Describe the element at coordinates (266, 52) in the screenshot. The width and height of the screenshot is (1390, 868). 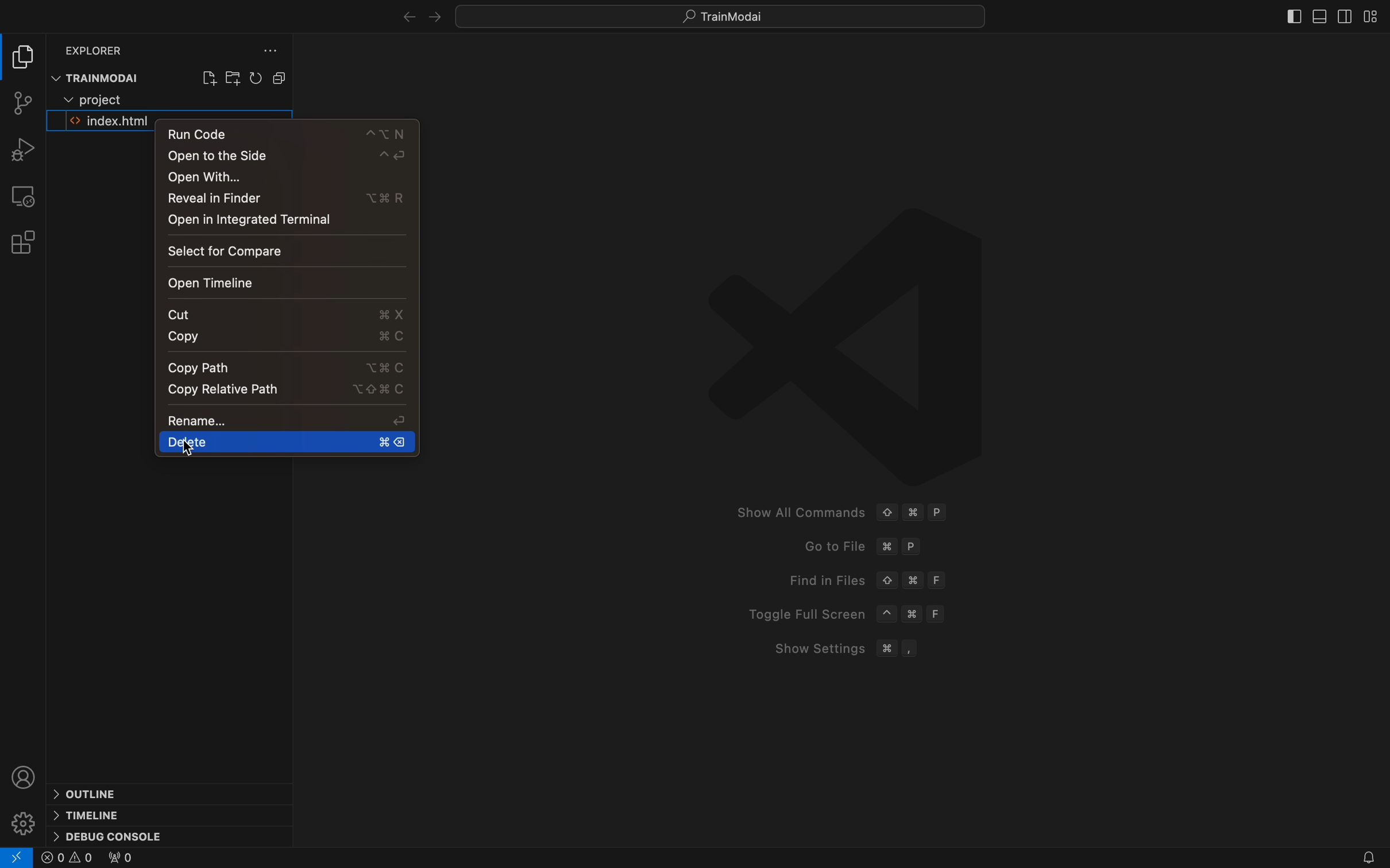
I see `explore settings` at that location.